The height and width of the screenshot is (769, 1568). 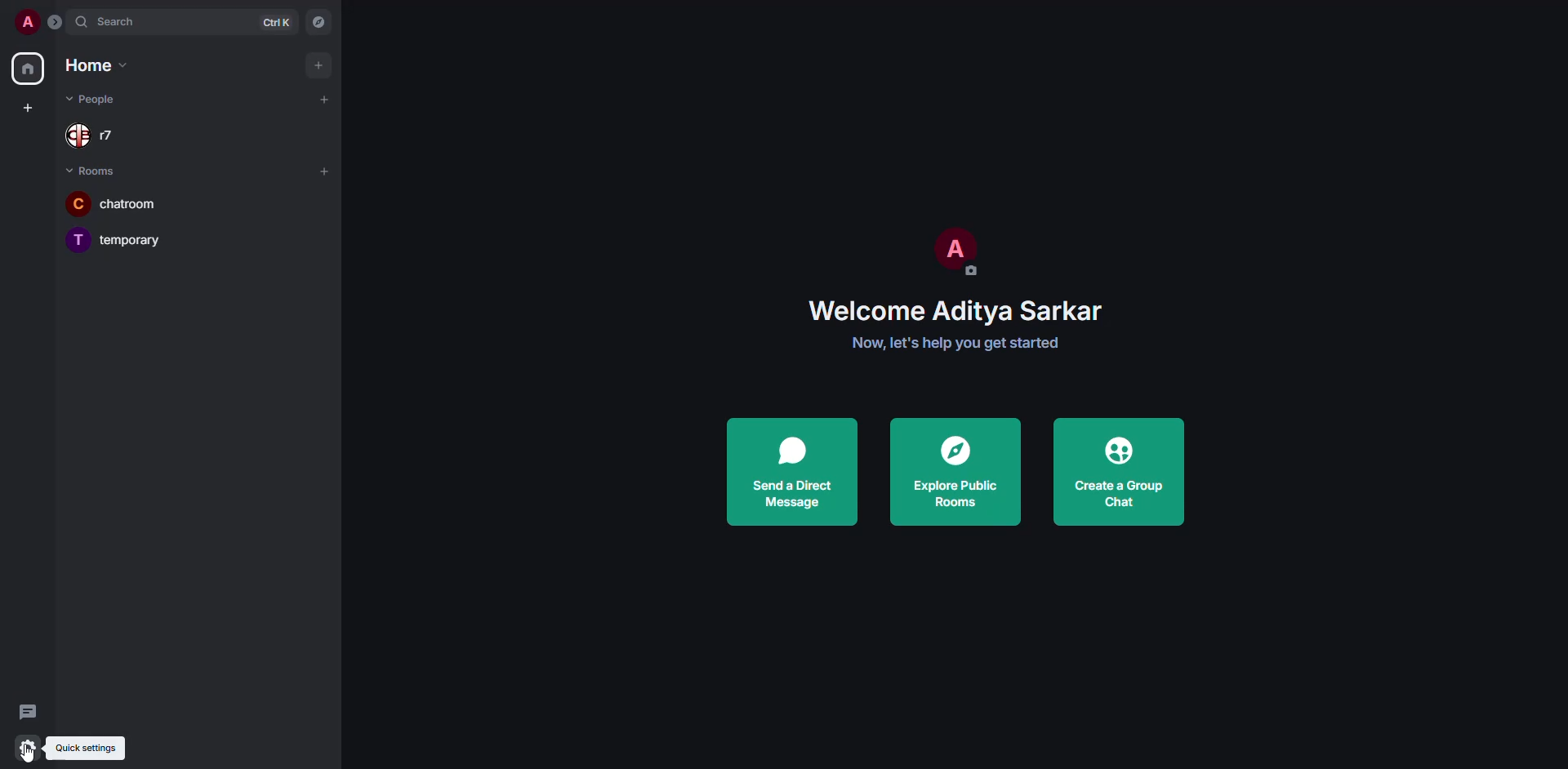 I want to click on add, so click(x=324, y=98).